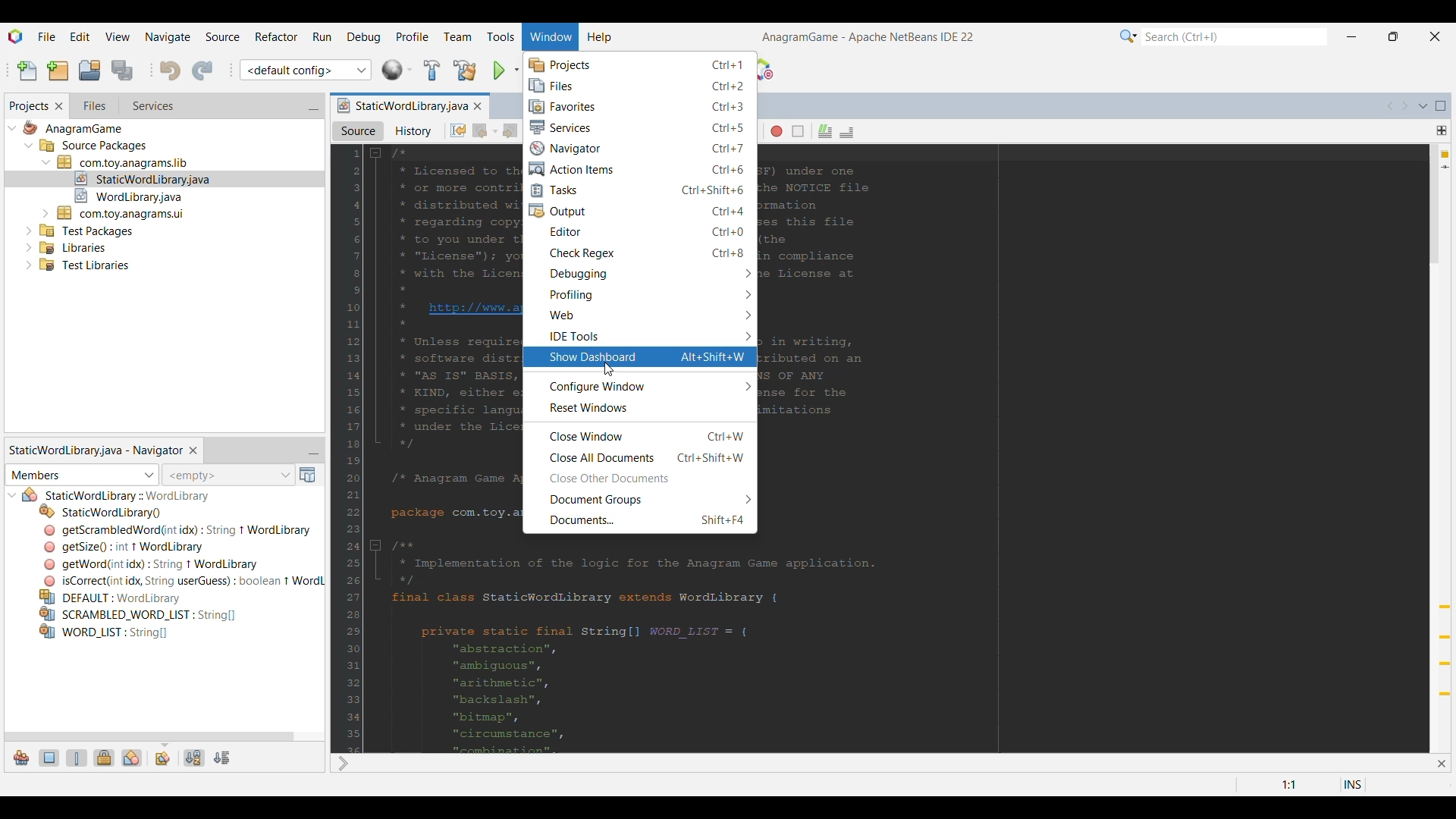  I want to click on Scroll documents right, so click(1404, 106).